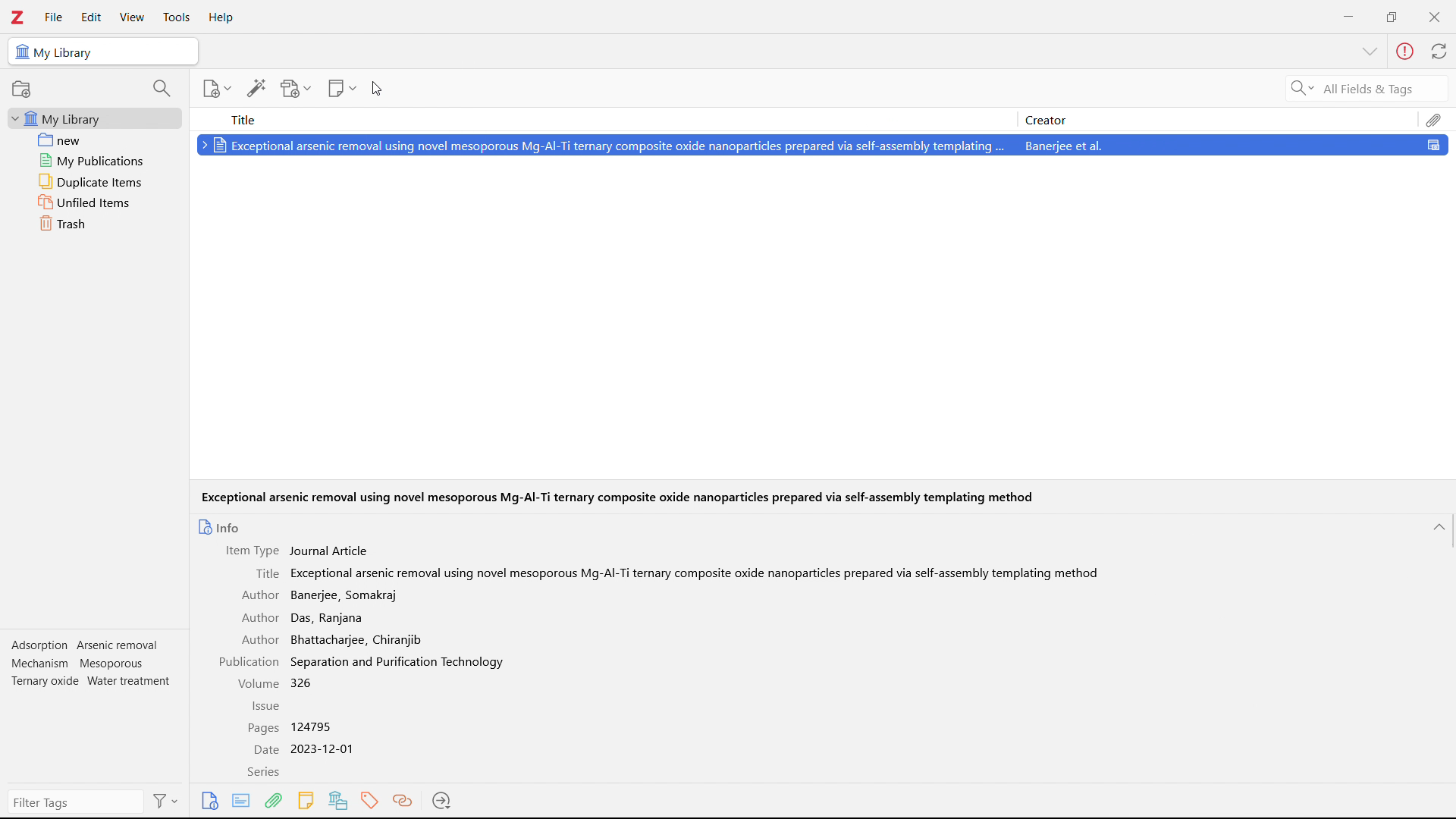  Describe the element at coordinates (1440, 51) in the screenshot. I see `sync with zotero.org` at that location.